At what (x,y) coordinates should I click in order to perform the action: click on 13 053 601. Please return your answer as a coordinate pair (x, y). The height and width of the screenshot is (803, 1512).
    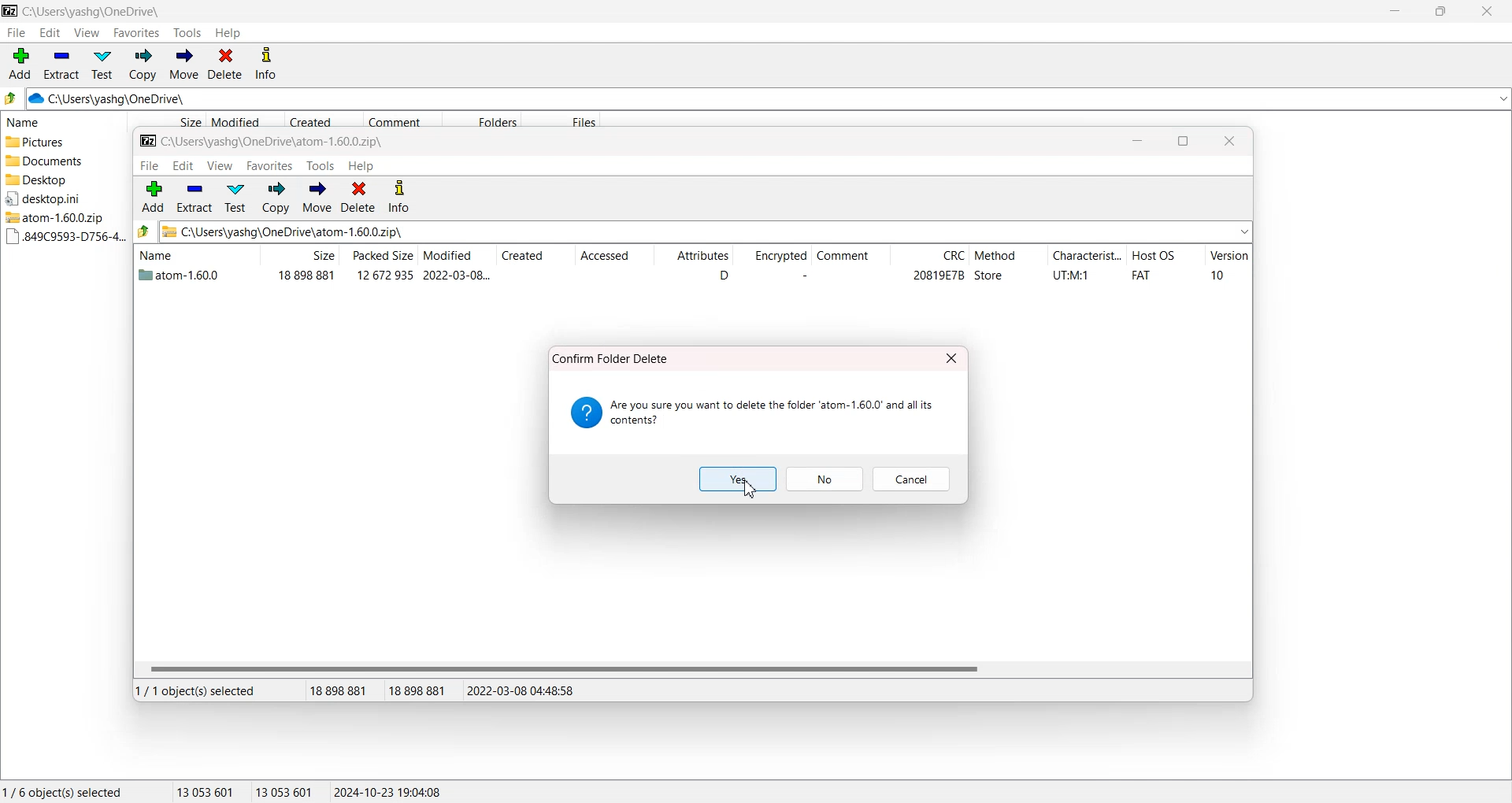
    Looking at the image, I should click on (285, 791).